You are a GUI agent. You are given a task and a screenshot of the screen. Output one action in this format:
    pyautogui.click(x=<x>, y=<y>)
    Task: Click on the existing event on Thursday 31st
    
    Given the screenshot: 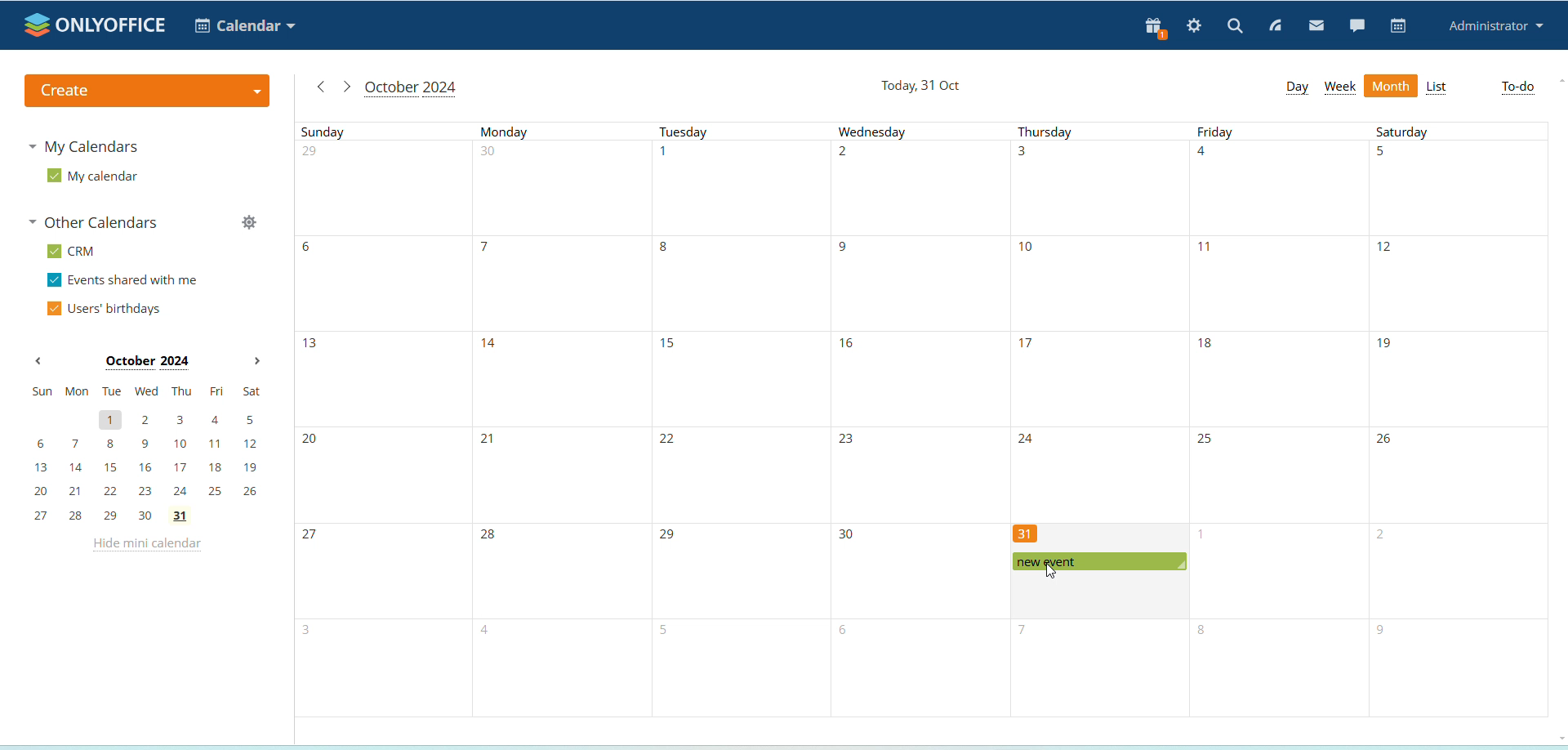 What is the action you would take?
    pyautogui.click(x=1099, y=562)
    